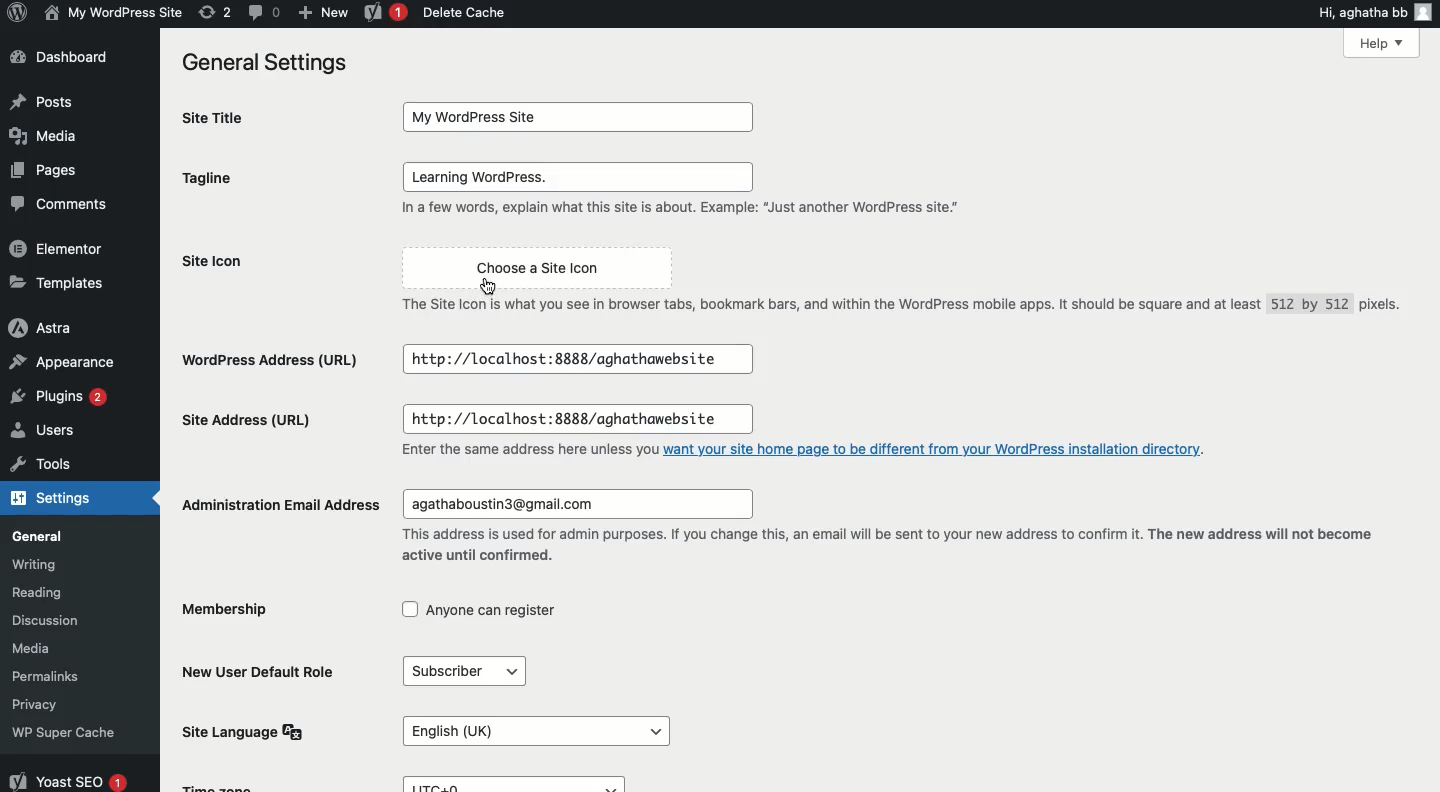 The height and width of the screenshot is (792, 1440). Describe the element at coordinates (256, 671) in the screenshot. I see `New user default role` at that location.